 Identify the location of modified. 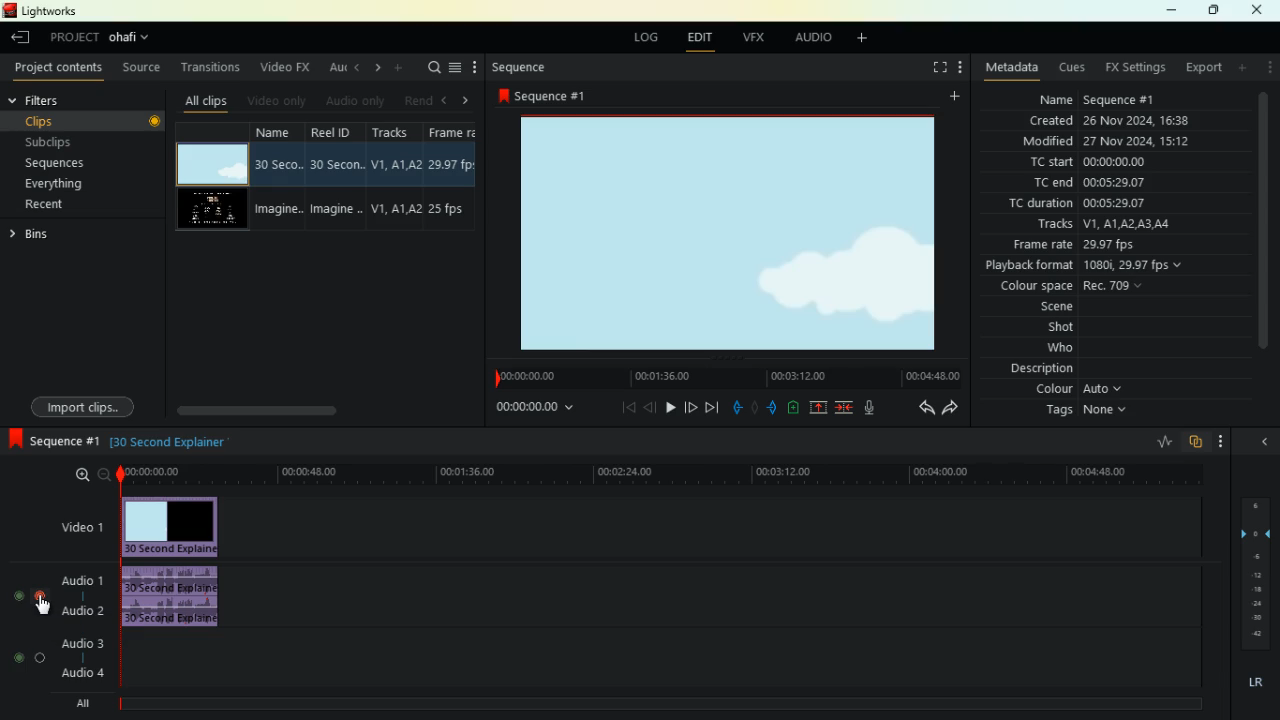
(1102, 142).